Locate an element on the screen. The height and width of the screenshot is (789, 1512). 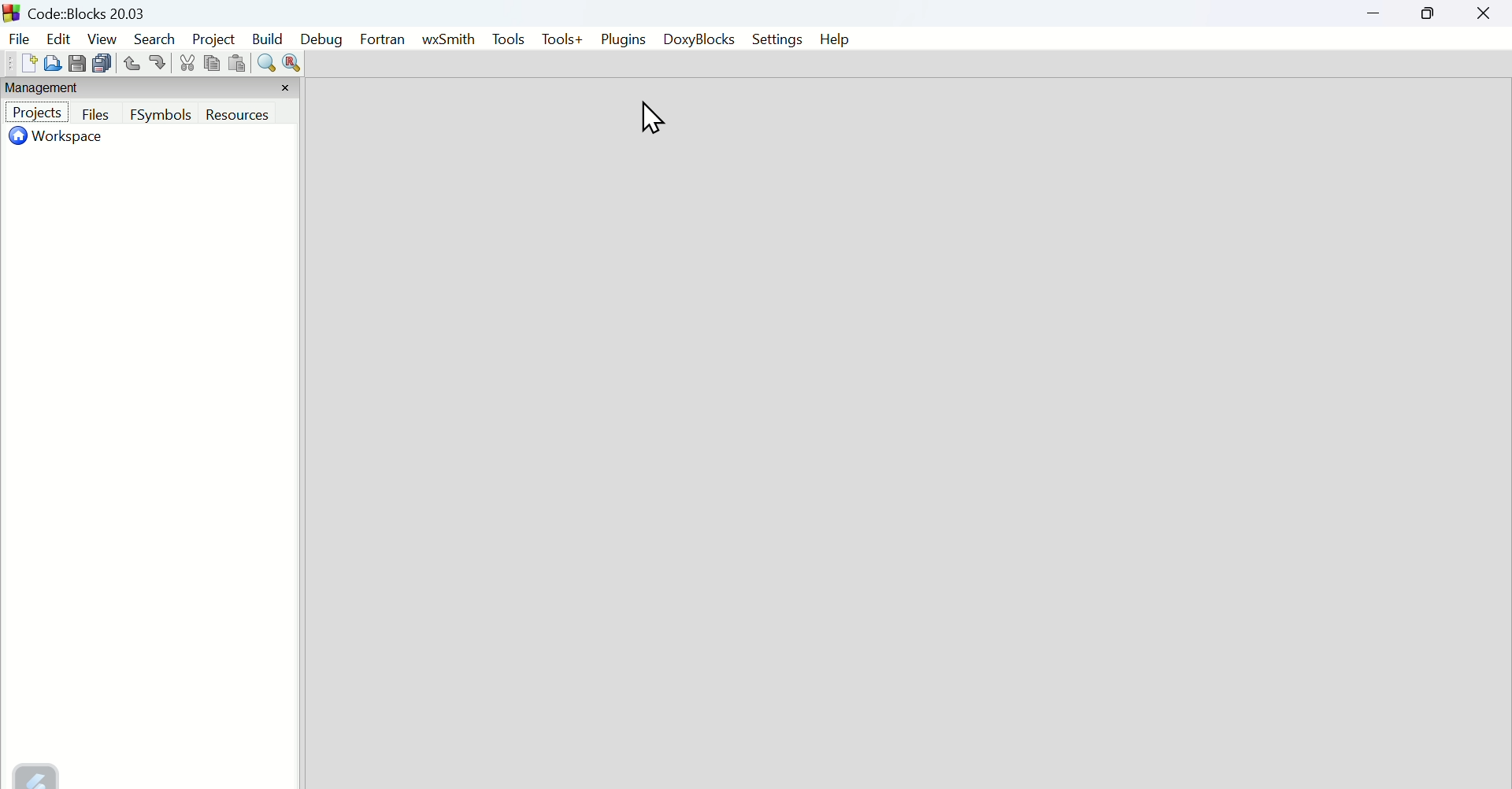
View is located at coordinates (103, 38).